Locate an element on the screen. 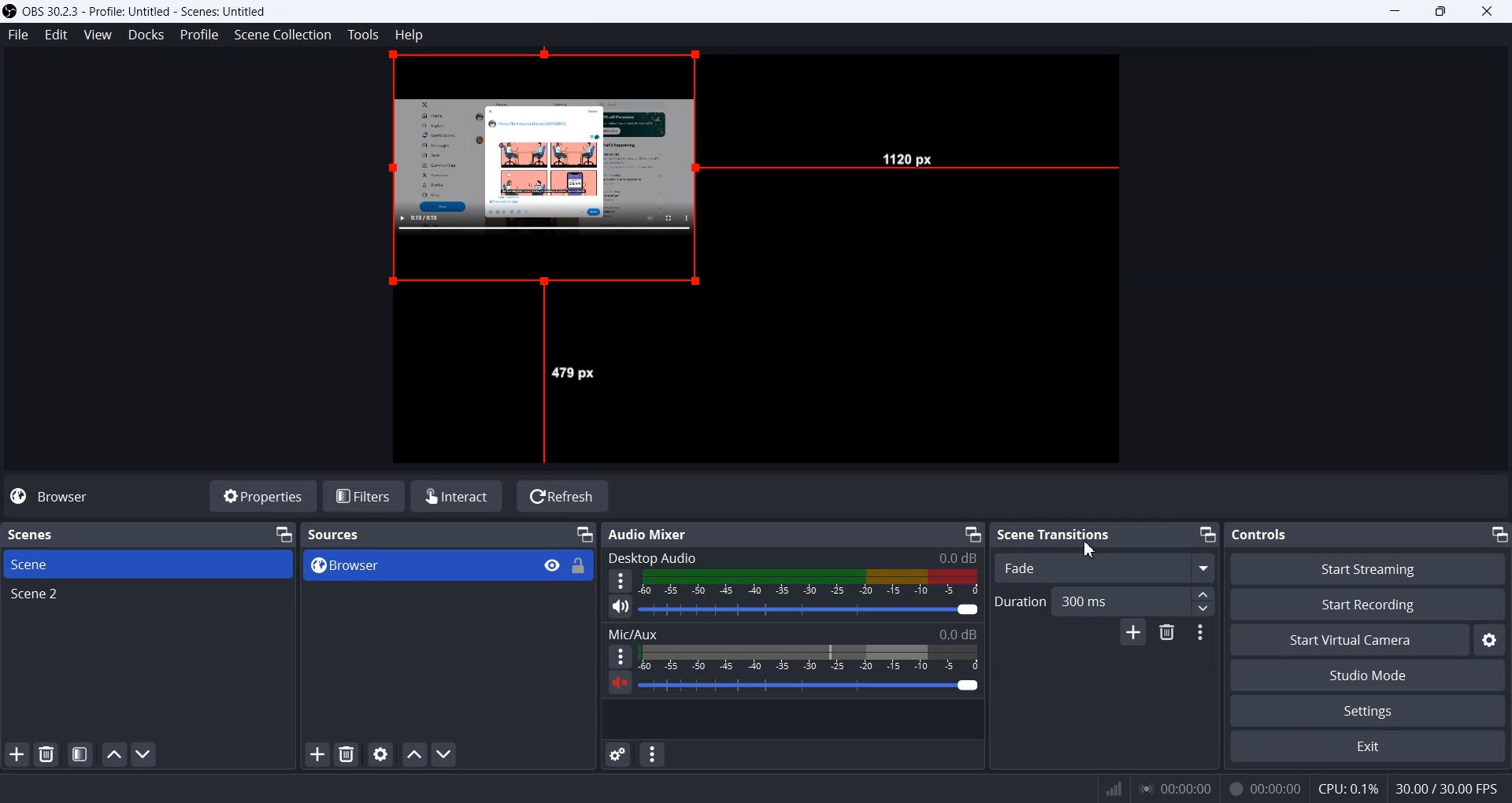 Image resolution: width=1512 pixels, height=803 pixels. & OBS 30.2.3 - Profile: Untitled - Scenes: Untitled is located at coordinates (153, 12).